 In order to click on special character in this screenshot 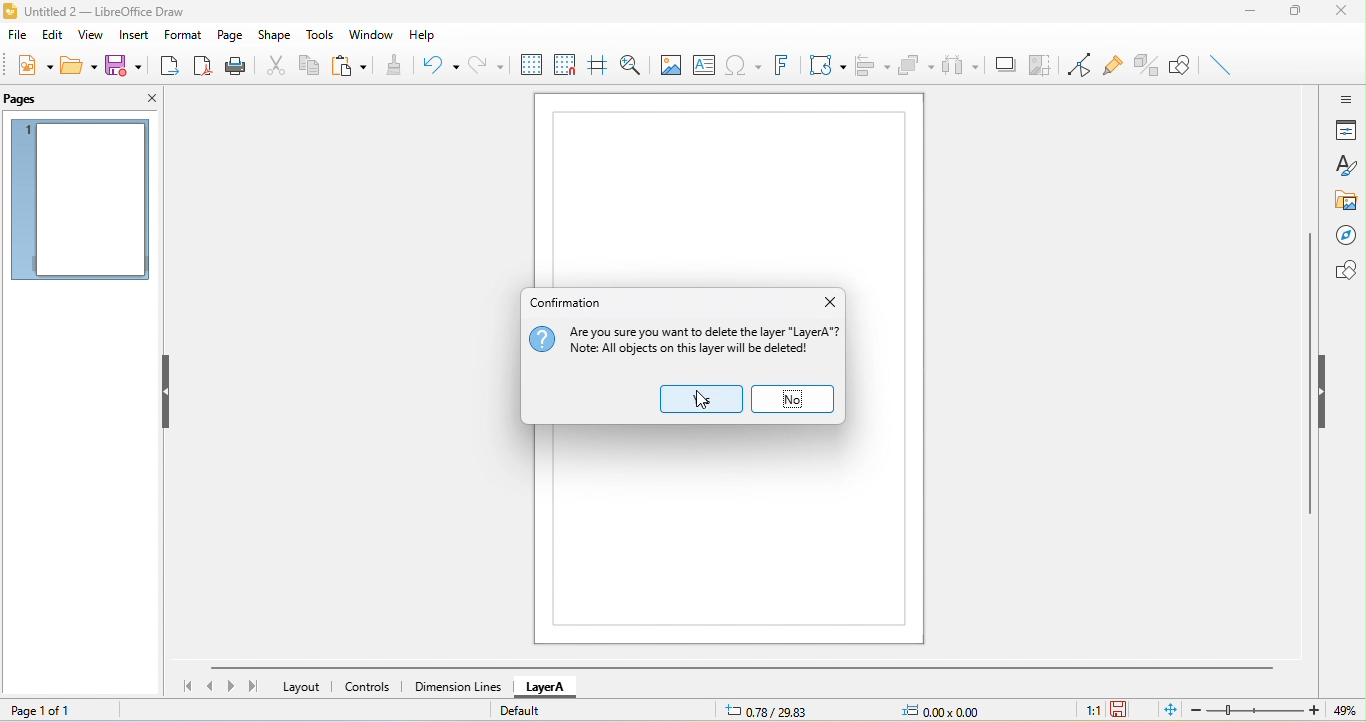, I will do `click(740, 65)`.